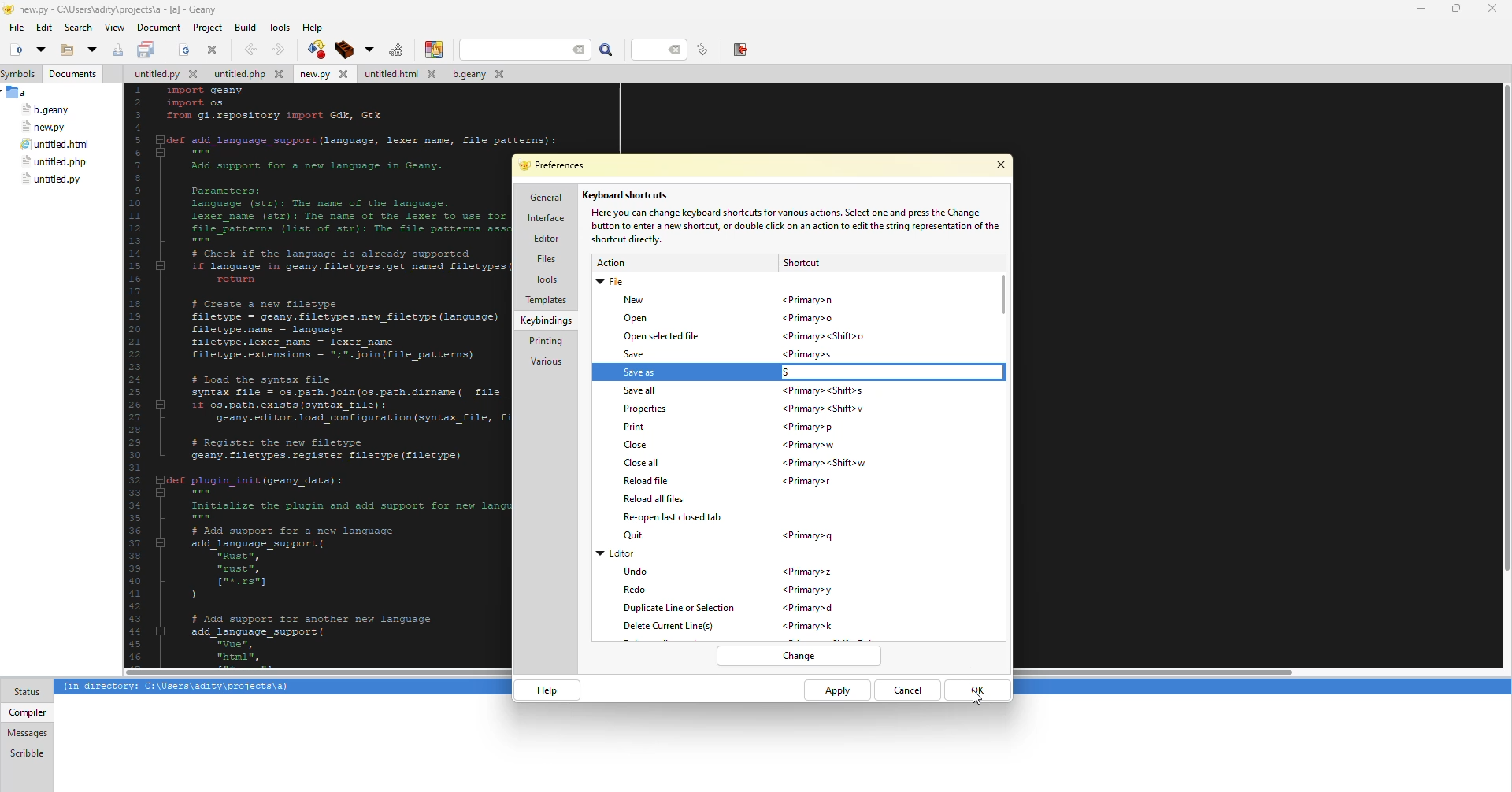  I want to click on line number, so click(663, 49).